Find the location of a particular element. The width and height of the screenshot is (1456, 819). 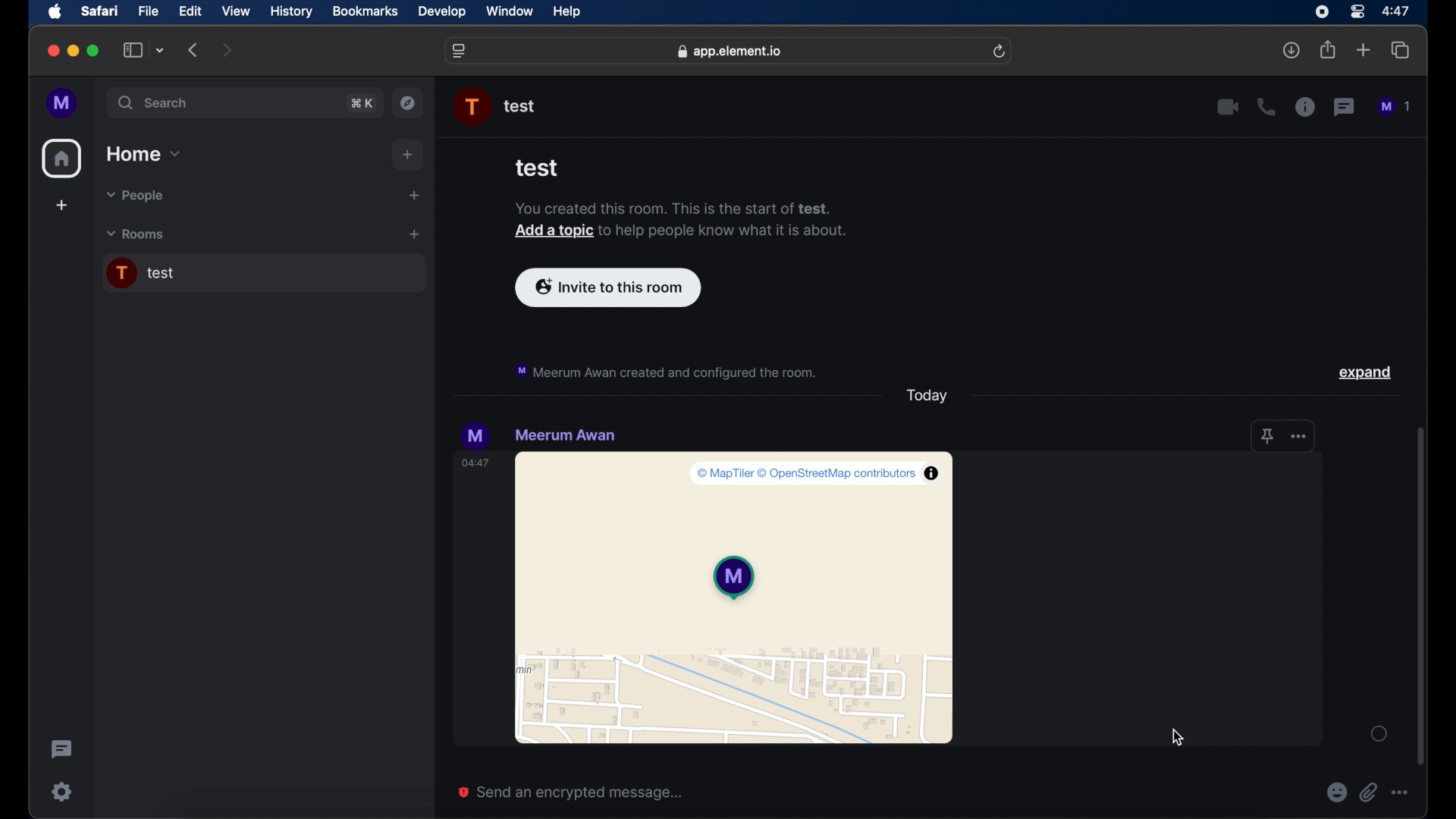

new tab is located at coordinates (1363, 50).